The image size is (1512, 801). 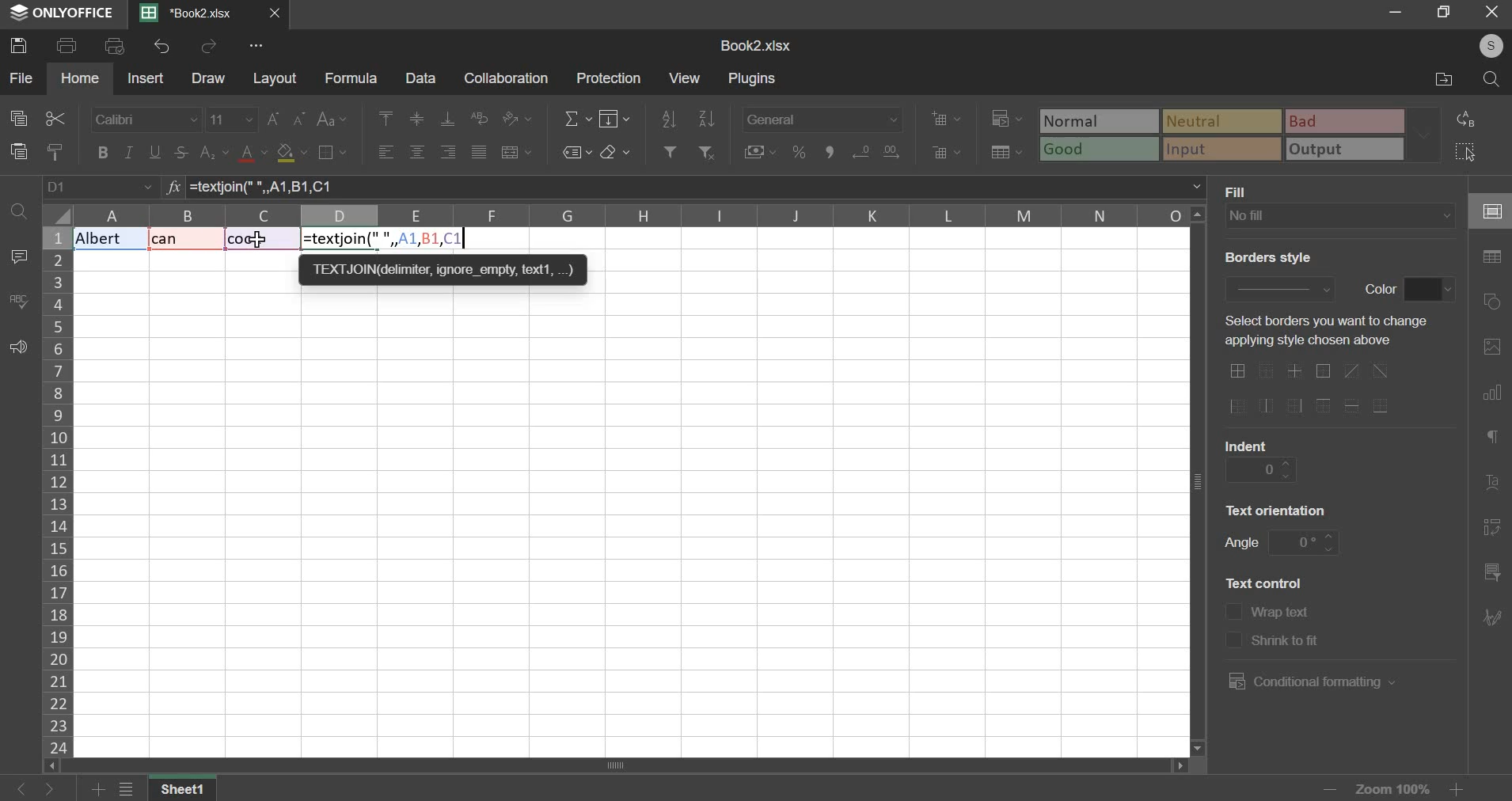 What do you see at coordinates (1491, 439) in the screenshot?
I see `paragraph` at bounding box center [1491, 439].